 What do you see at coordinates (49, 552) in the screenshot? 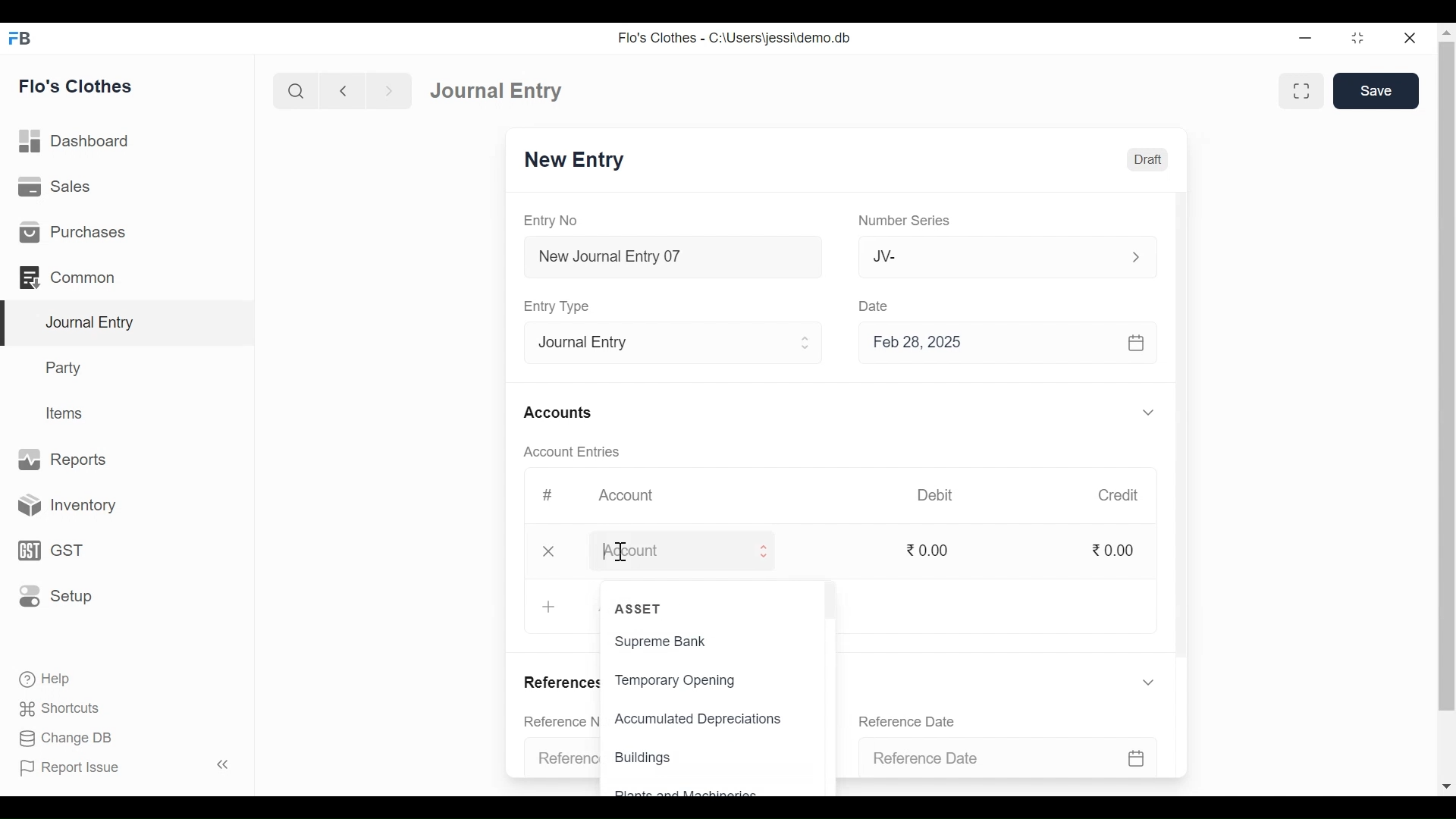
I see `GST` at bounding box center [49, 552].